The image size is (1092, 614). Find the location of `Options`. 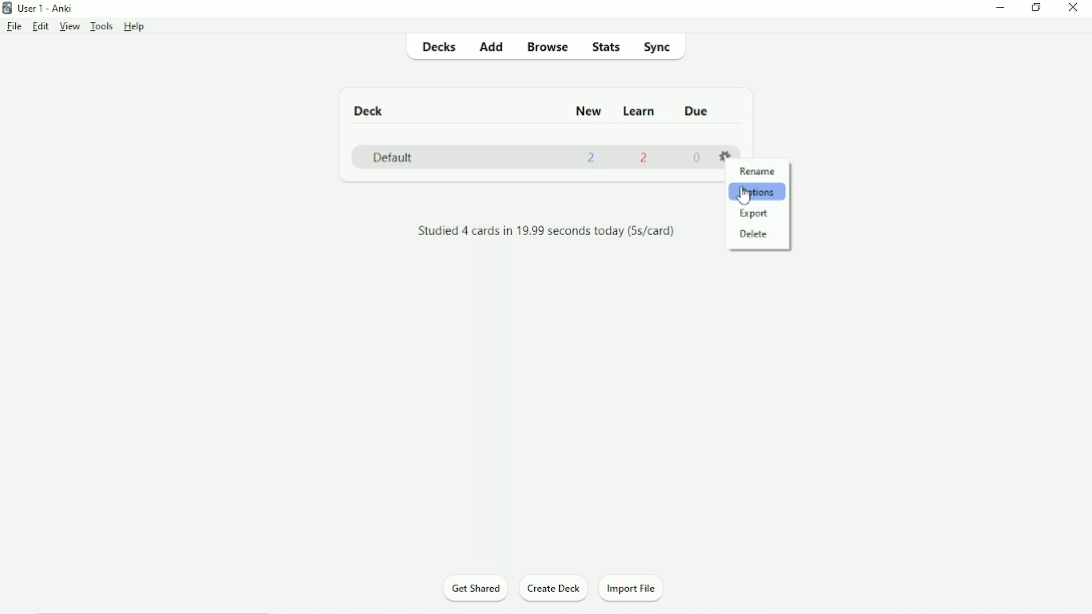

Options is located at coordinates (758, 192).